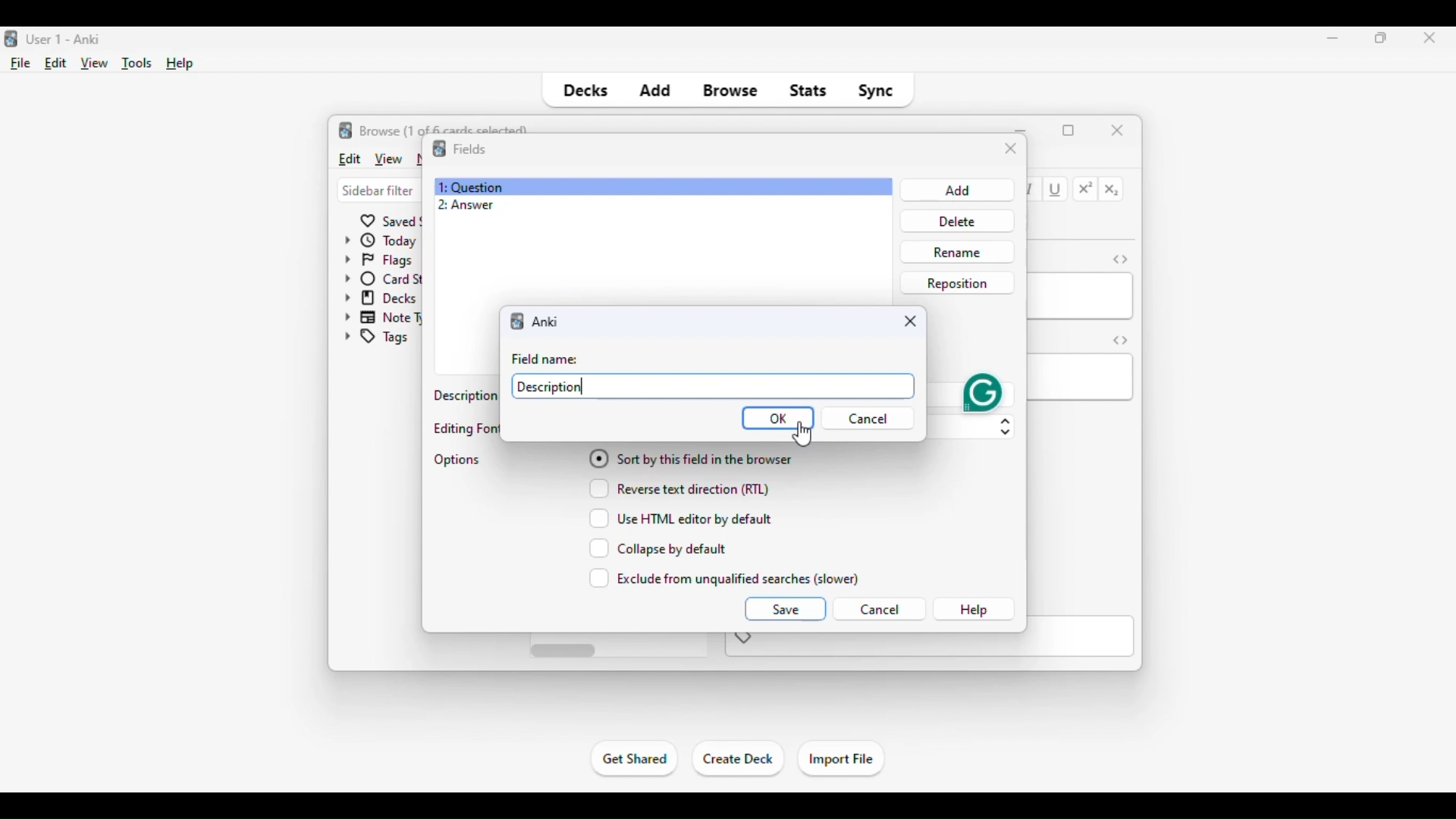 Image resolution: width=1456 pixels, height=819 pixels. Describe the element at coordinates (778, 419) in the screenshot. I see `OK` at that location.